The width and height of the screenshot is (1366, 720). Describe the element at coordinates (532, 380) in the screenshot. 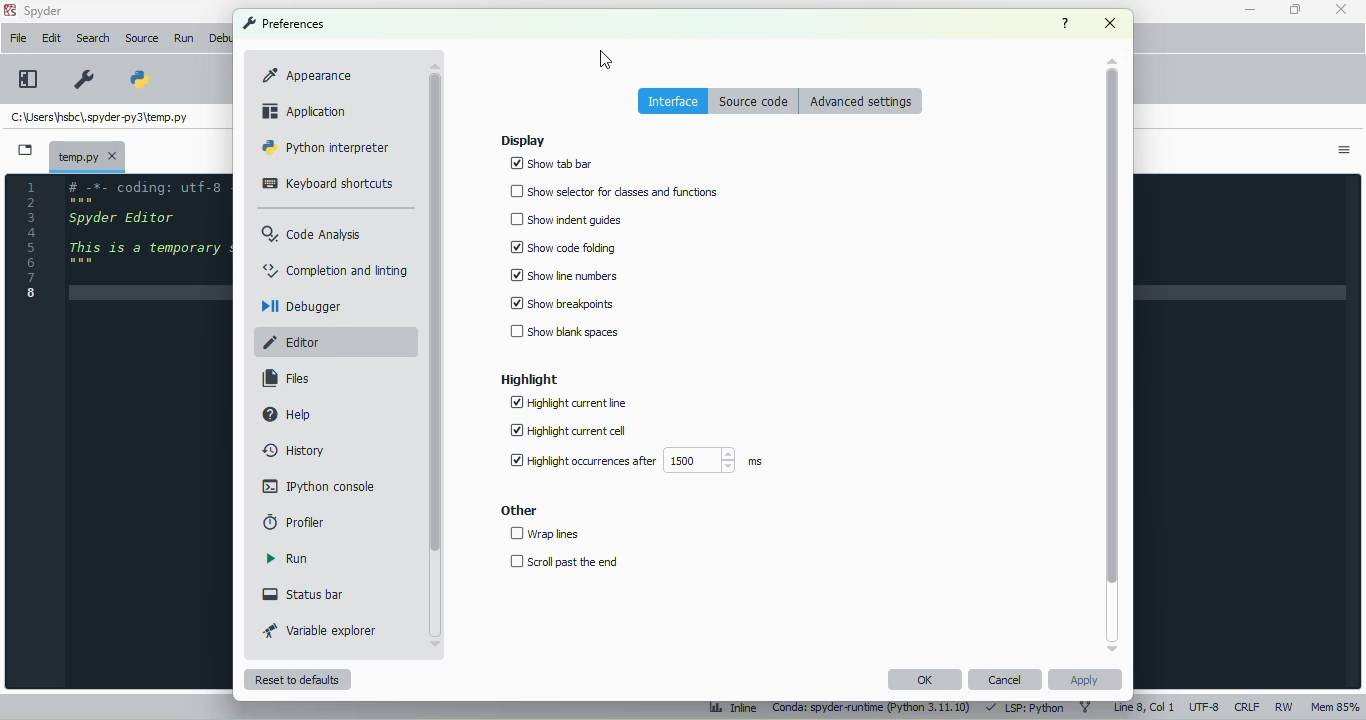

I see `highlight` at that location.